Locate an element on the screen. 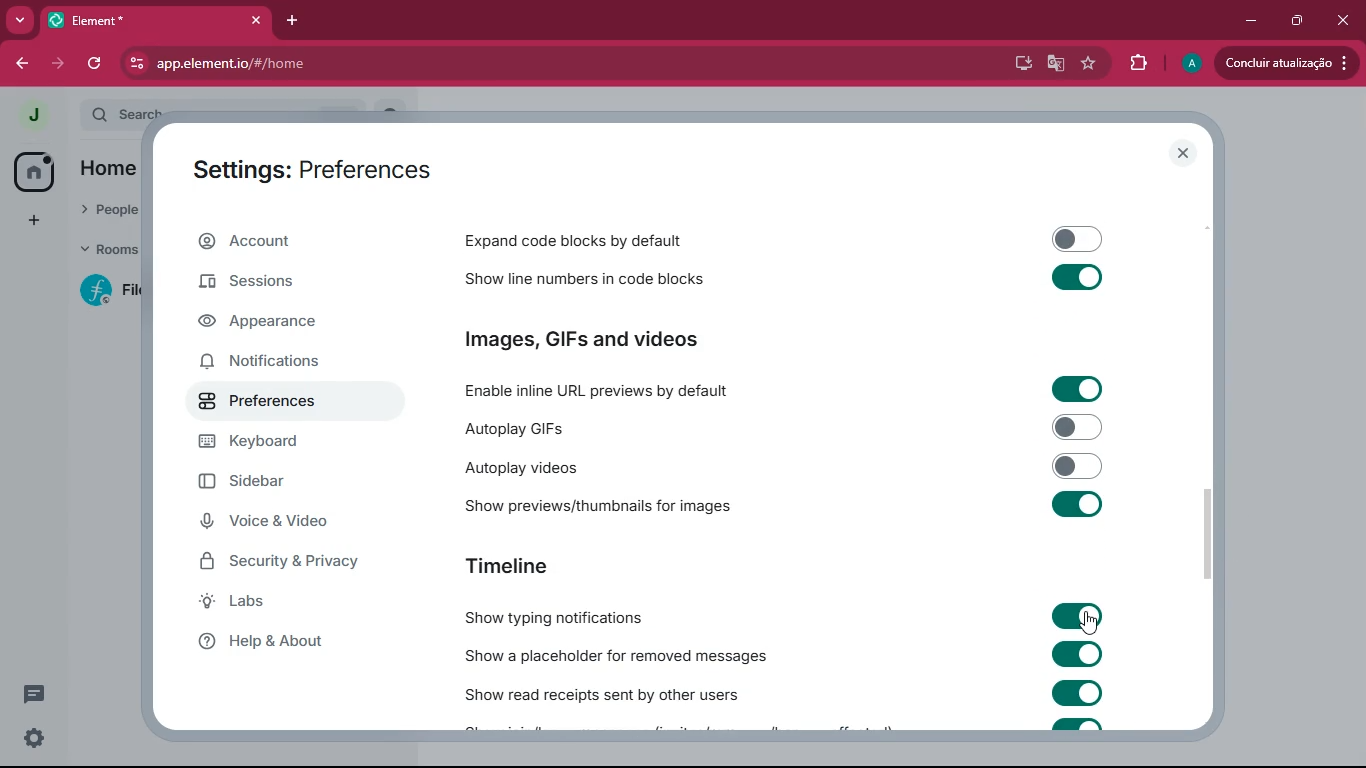  show typing notifications is located at coordinates (554, 614).